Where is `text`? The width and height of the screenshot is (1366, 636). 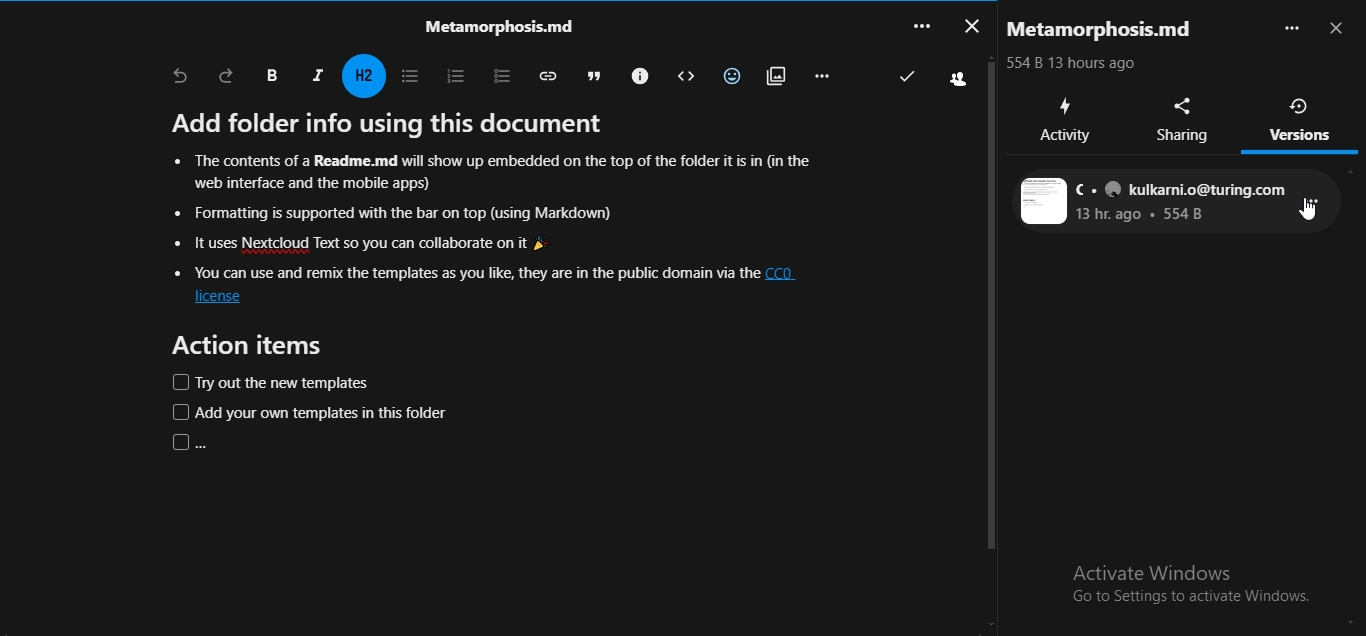 text is located at coordinates (498, 281).